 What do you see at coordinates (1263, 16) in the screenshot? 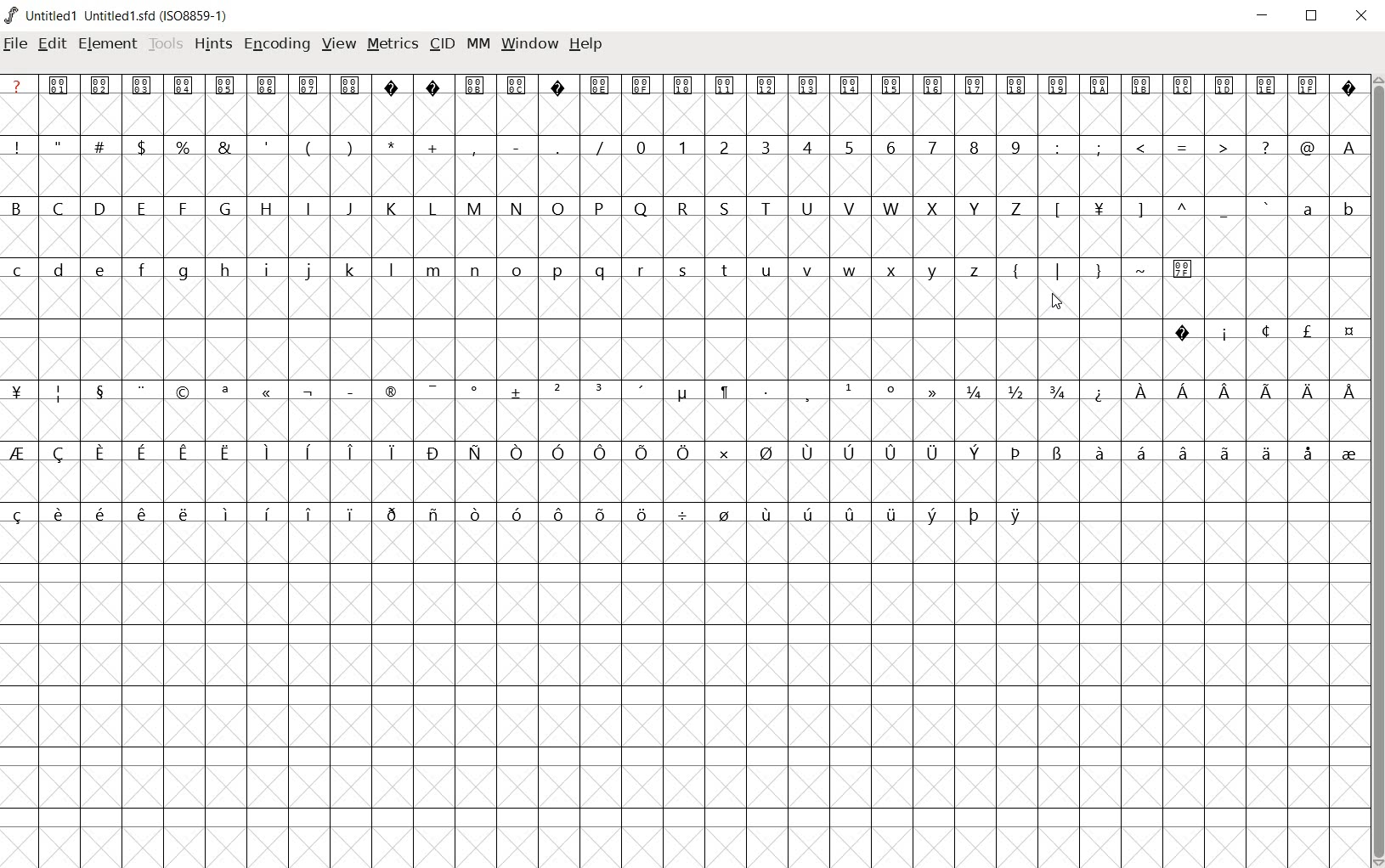
I see `minimize` at bounding box center [1263, 16].